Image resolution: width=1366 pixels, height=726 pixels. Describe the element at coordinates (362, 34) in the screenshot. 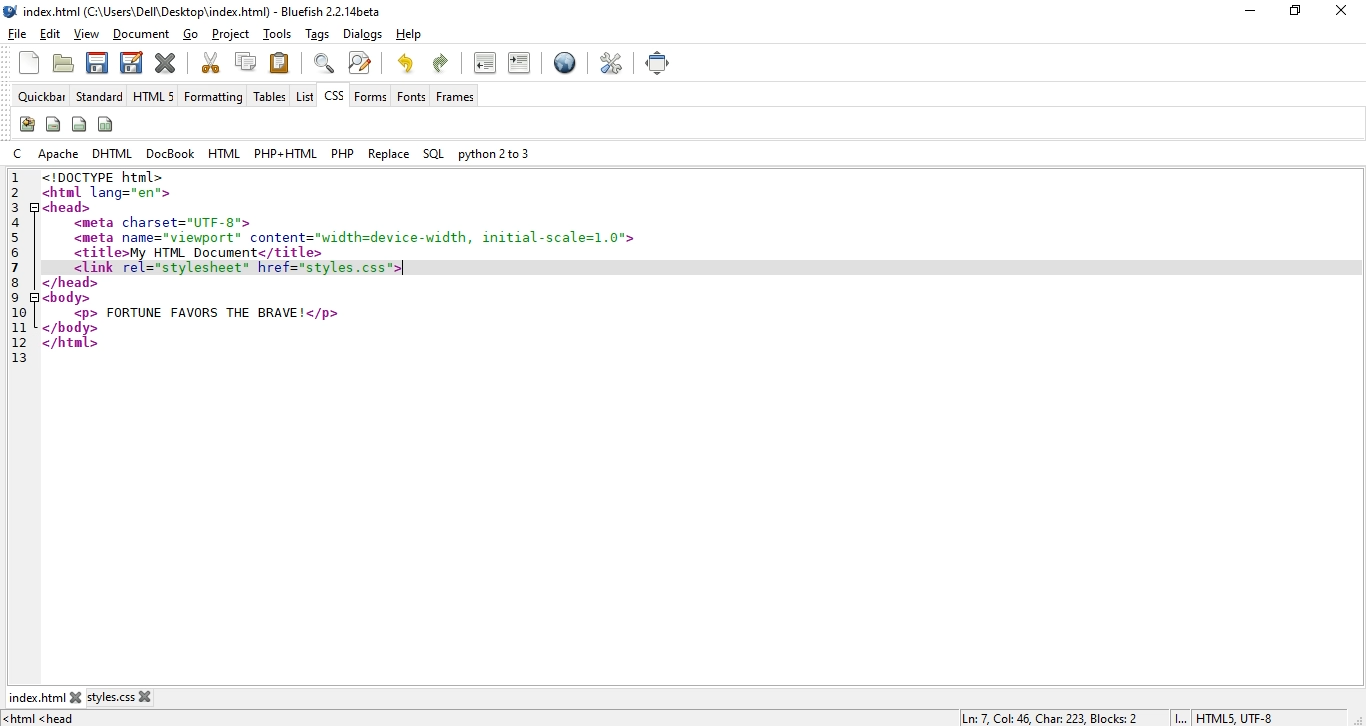

I see `dialog` at that location.